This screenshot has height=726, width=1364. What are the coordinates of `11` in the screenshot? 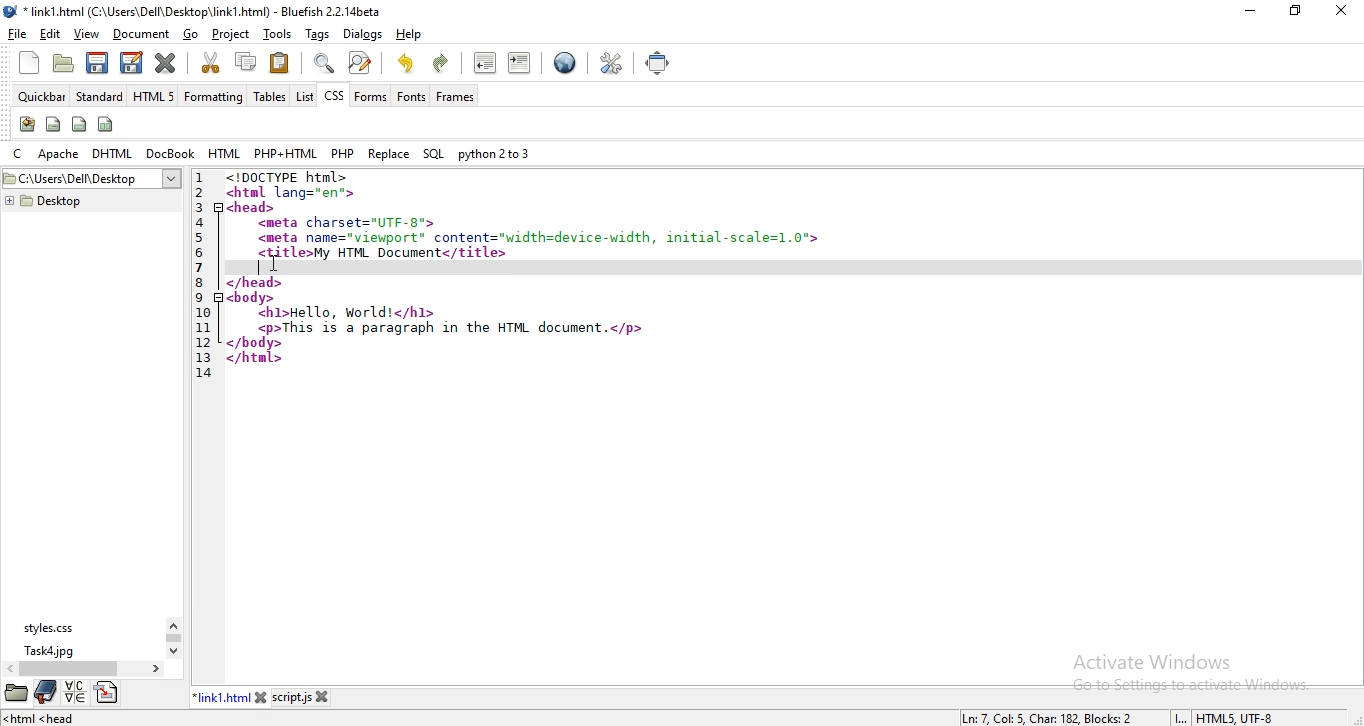 It's located at (203, 328).